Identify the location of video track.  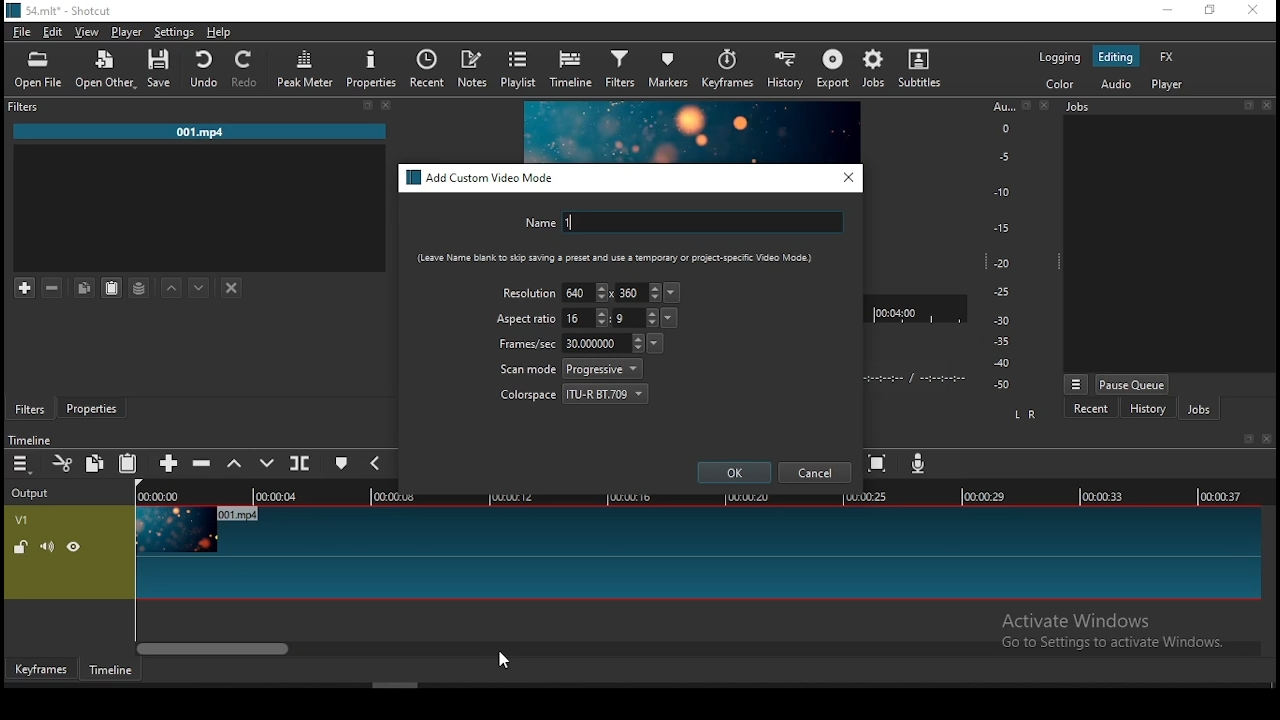
(697, 553).